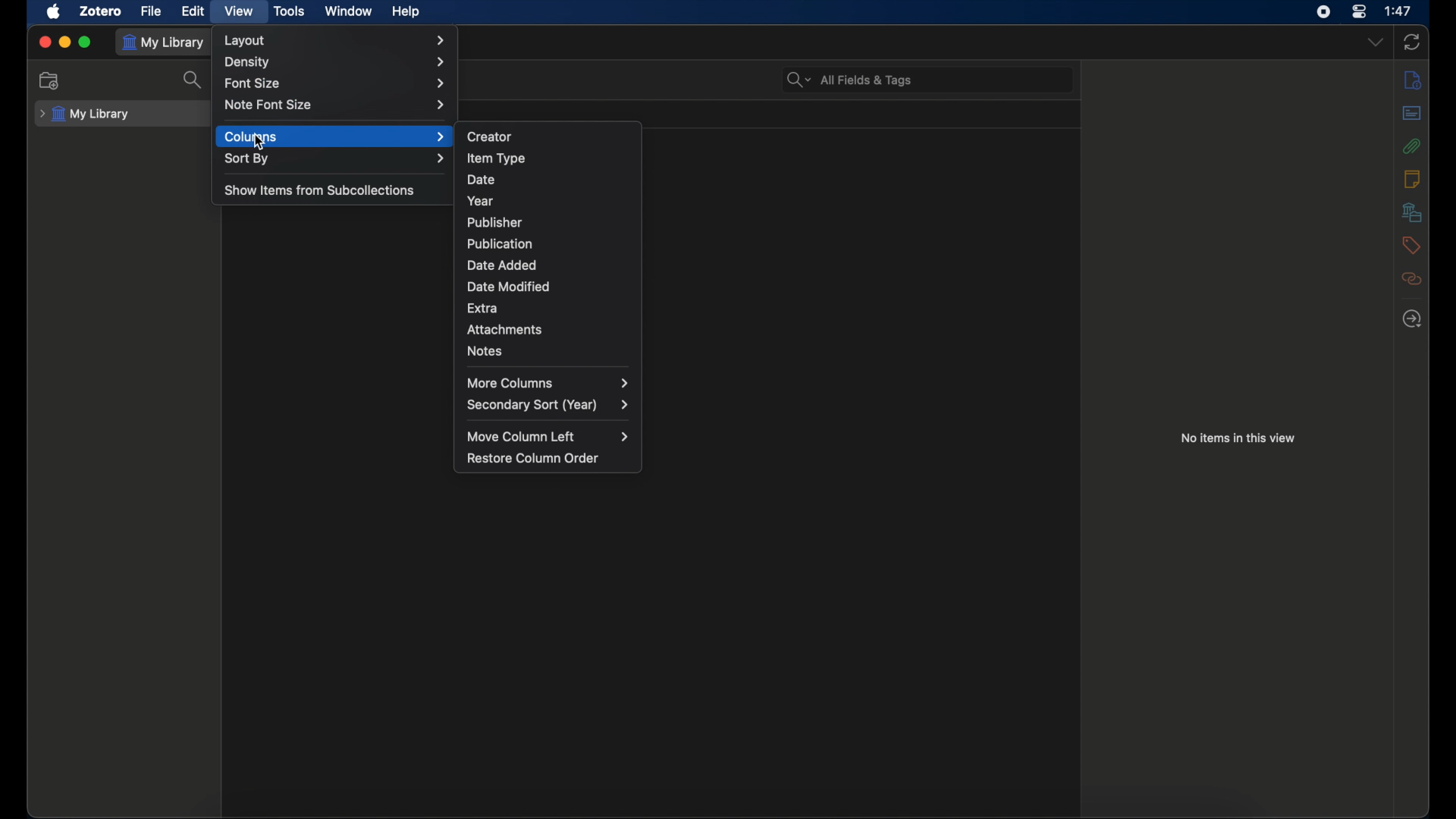 Image resolution: width=1456 pixels, height=819 pixels. I want to click on notes, so click(485, 351).